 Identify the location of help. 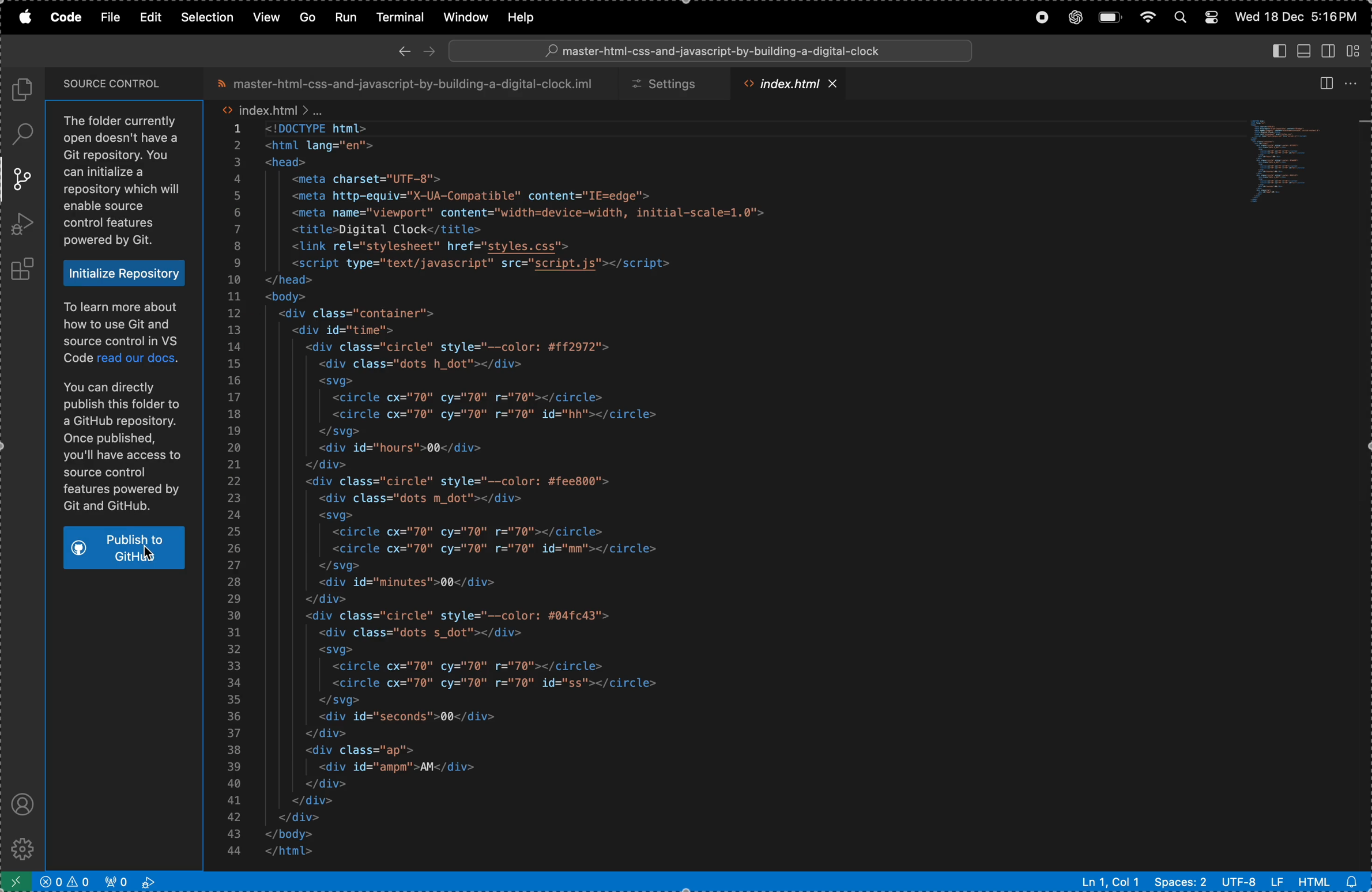
(529, 16).